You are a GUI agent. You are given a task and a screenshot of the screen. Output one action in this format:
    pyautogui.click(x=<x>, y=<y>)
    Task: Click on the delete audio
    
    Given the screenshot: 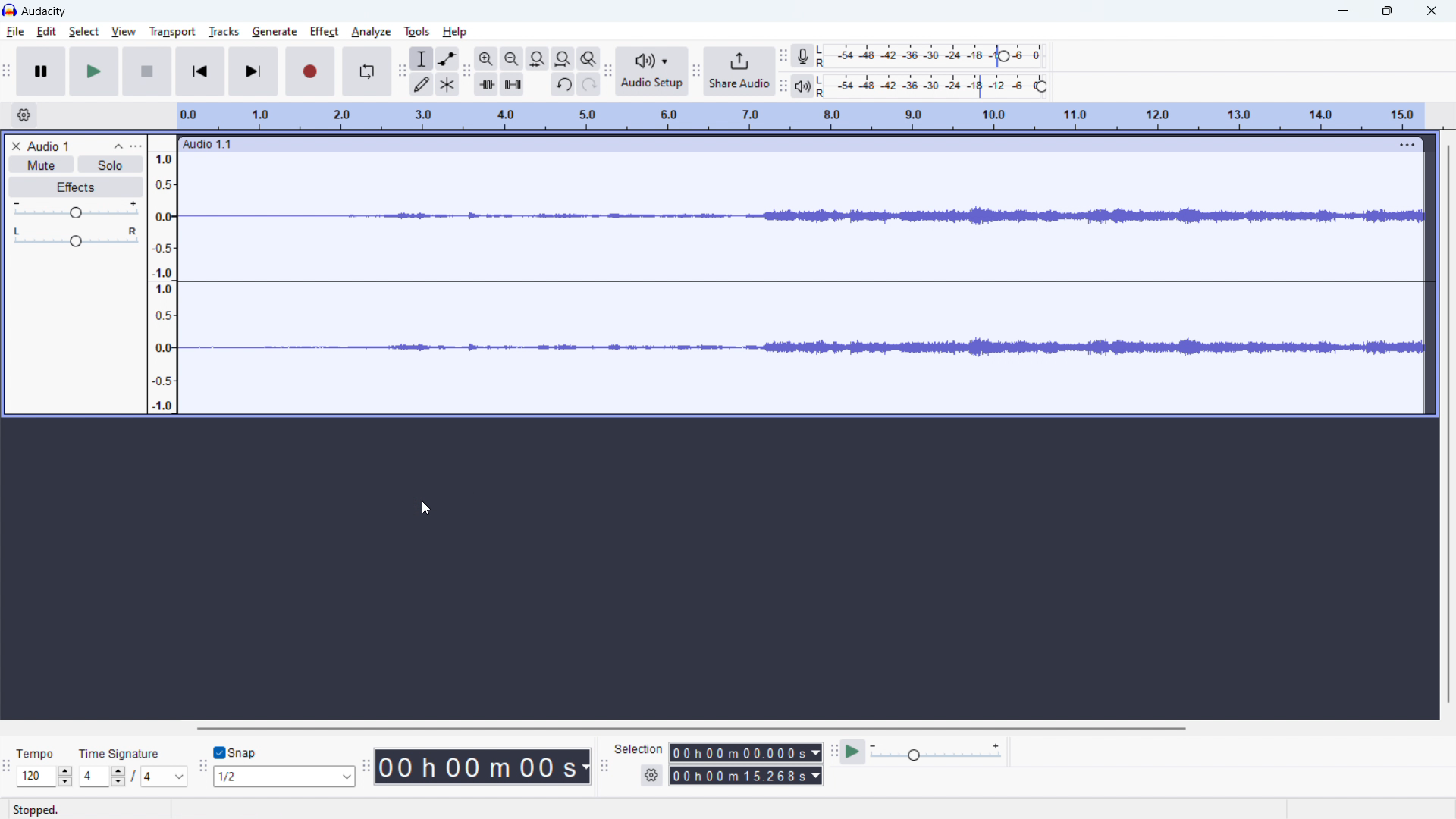 What is the action you would take?
    pyautogui.click(x=15, y=146)
    